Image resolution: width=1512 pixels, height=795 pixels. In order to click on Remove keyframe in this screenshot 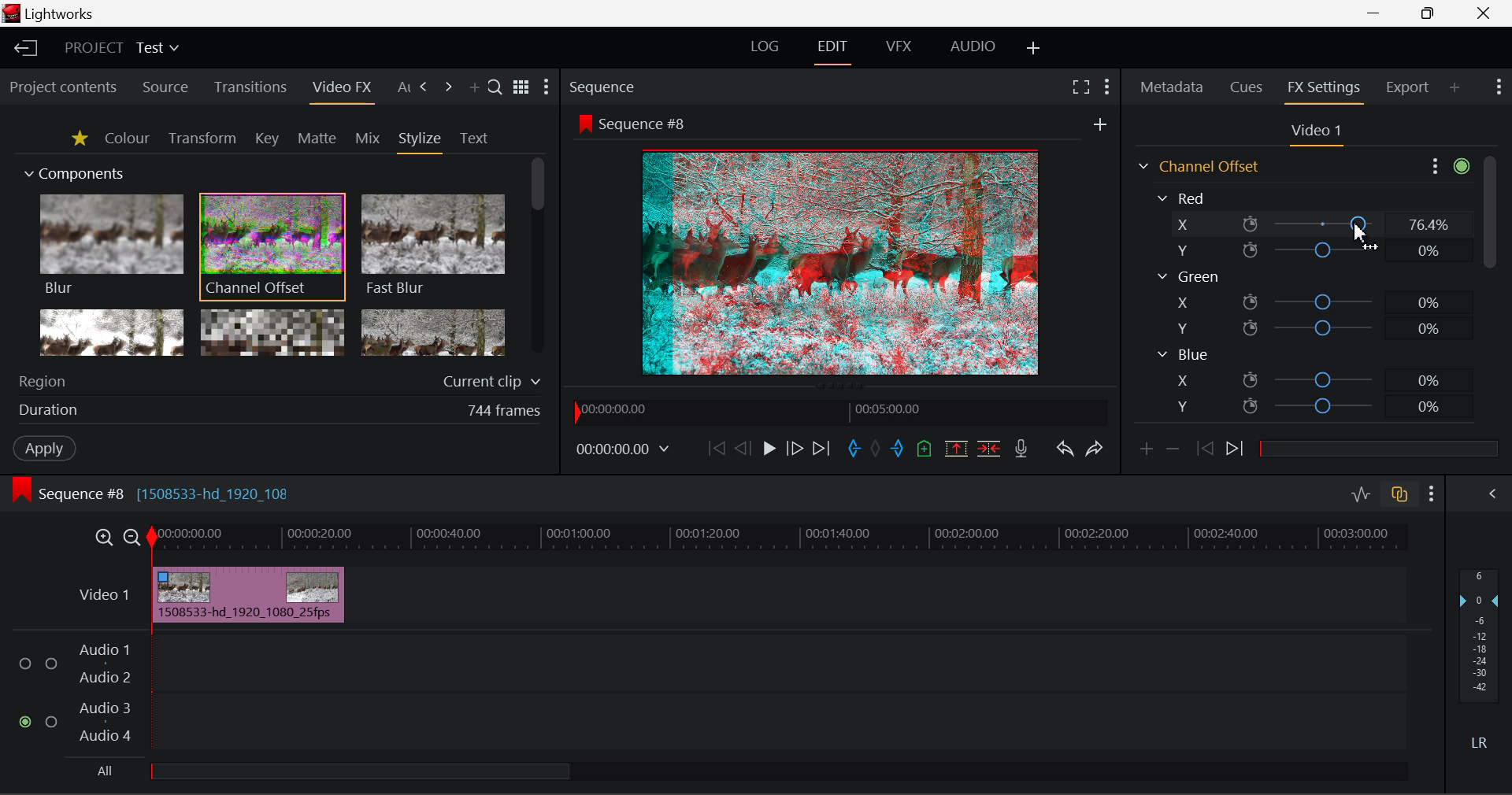, I will do `click(1173, 453)`.